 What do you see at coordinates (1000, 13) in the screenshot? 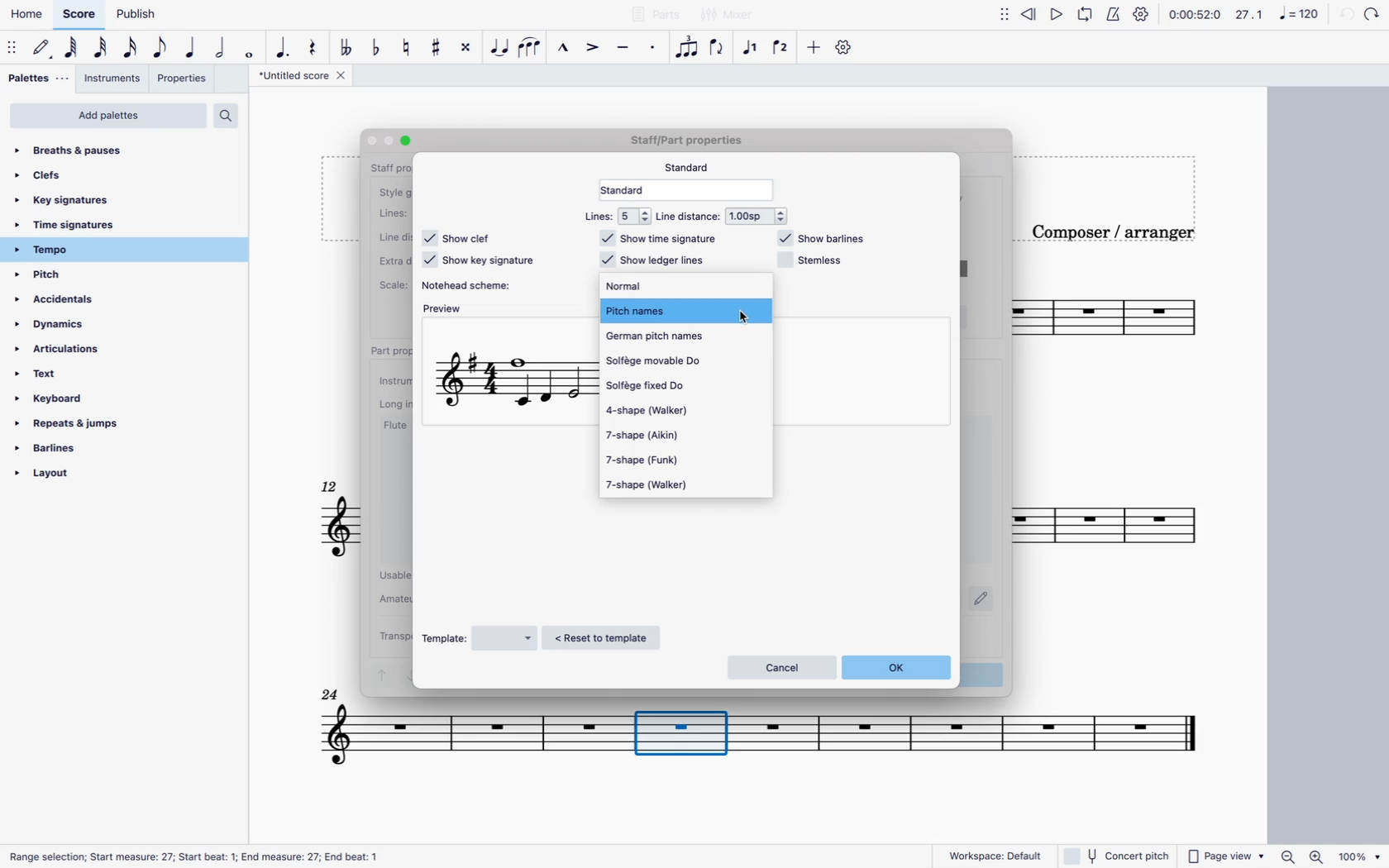
I see `move` at bounding box center [1000, 13].